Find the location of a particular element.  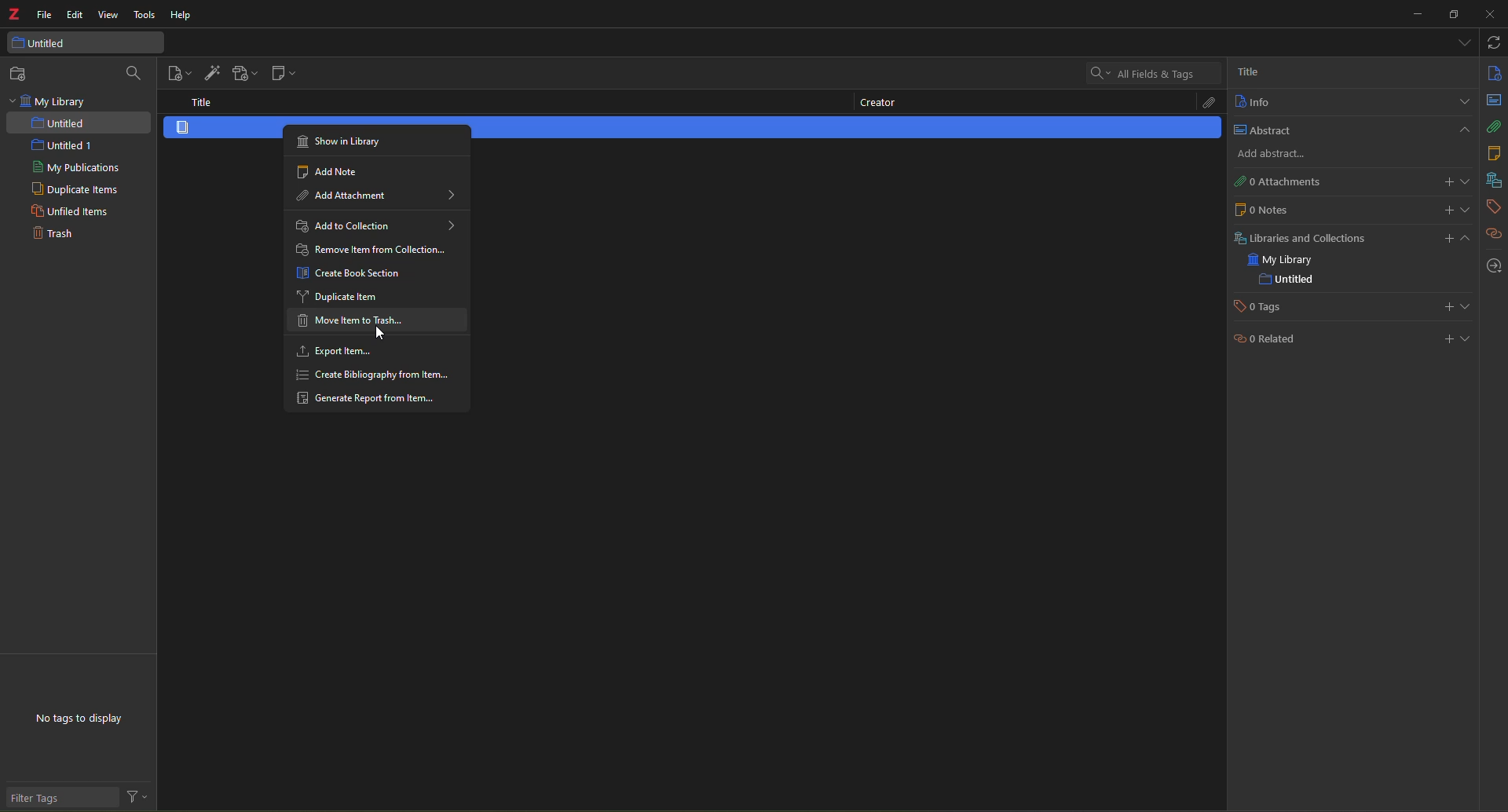

locate is located at coordinates (1494, 266).